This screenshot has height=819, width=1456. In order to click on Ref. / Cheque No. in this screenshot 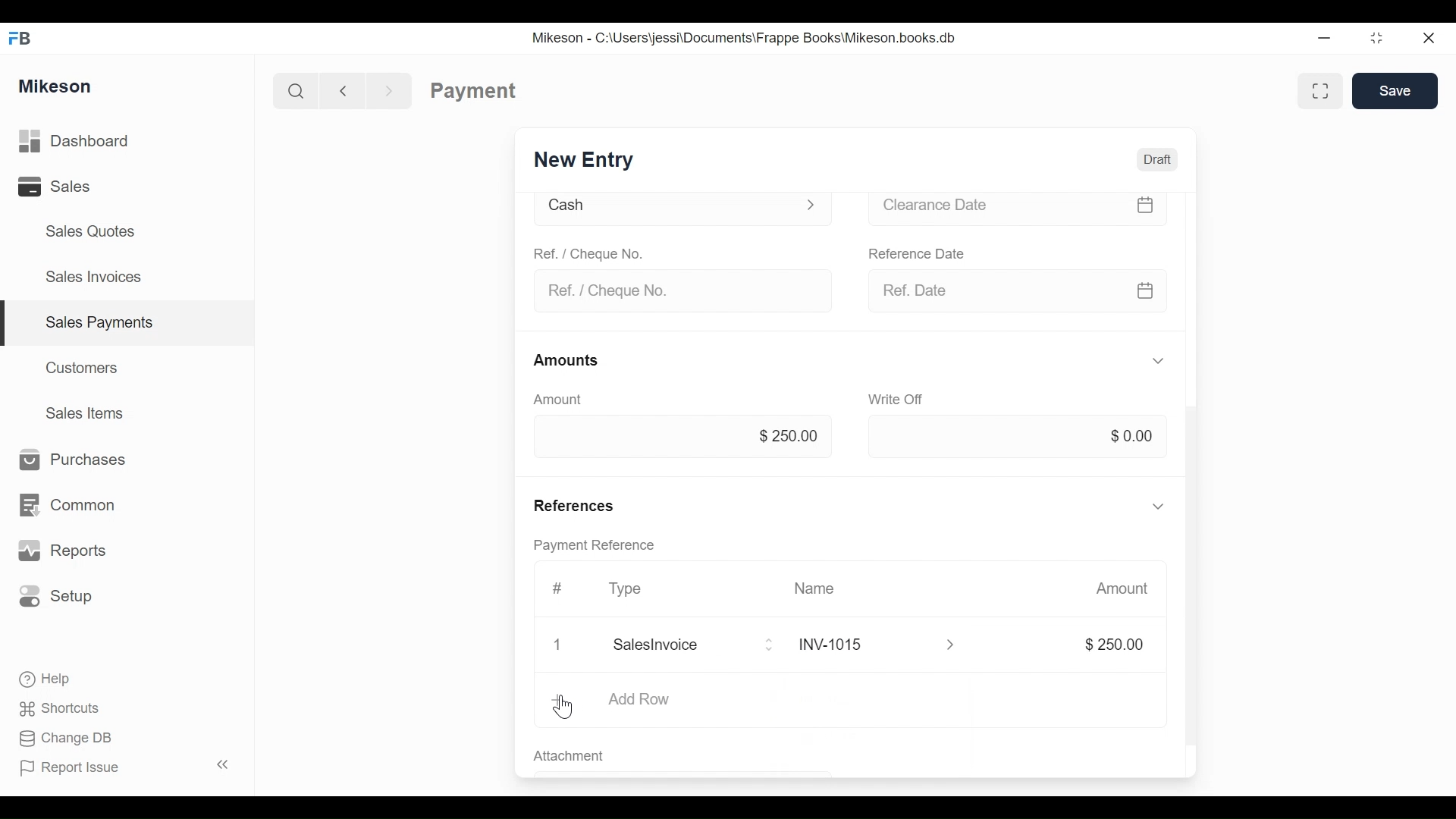, I will do `click(678, 290)`.